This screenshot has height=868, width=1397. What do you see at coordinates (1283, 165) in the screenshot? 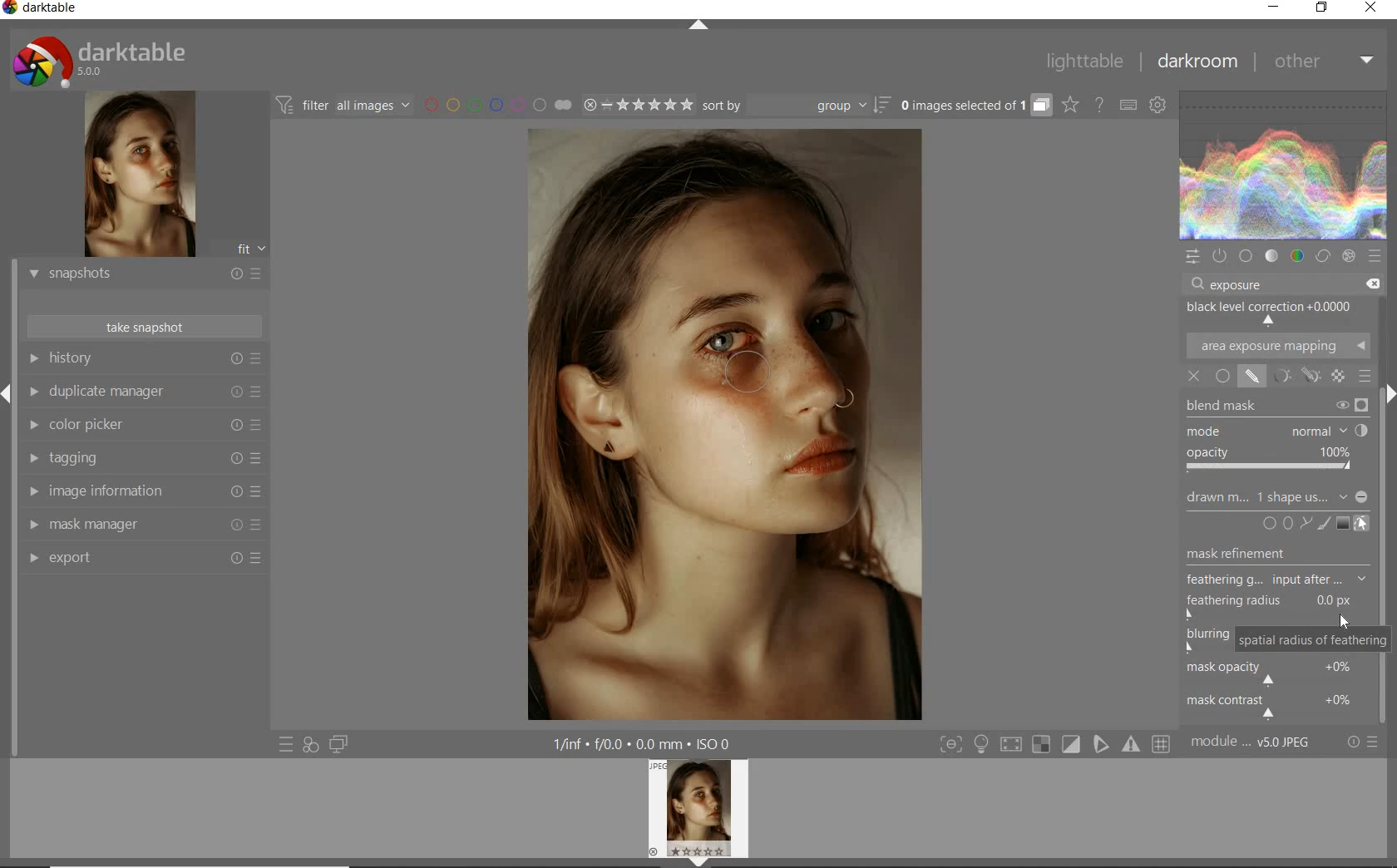
I see `WAVEFORM` at bounding box center [1283, 165].